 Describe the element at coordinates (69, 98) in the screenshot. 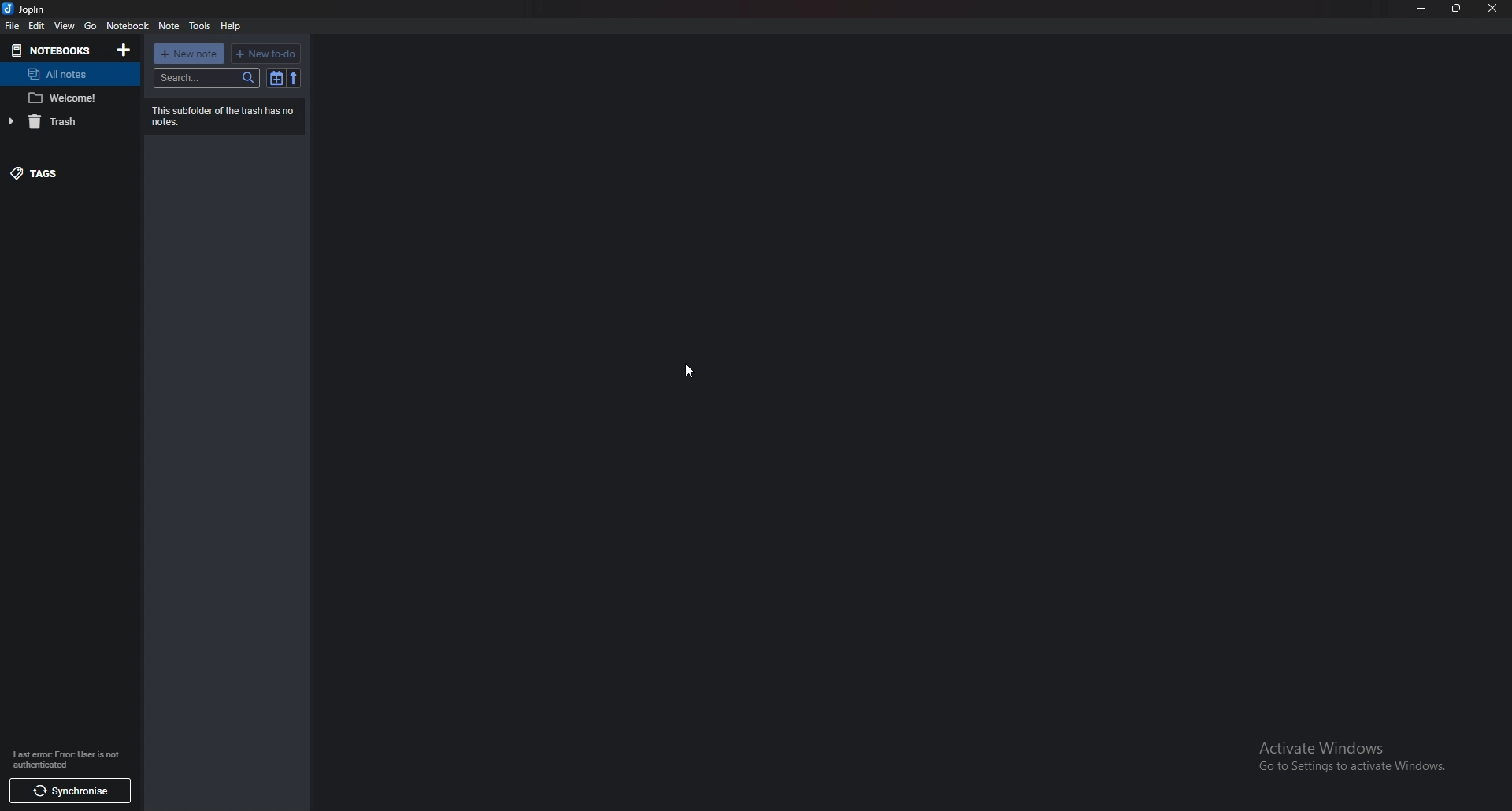

I see `Note` at that location.